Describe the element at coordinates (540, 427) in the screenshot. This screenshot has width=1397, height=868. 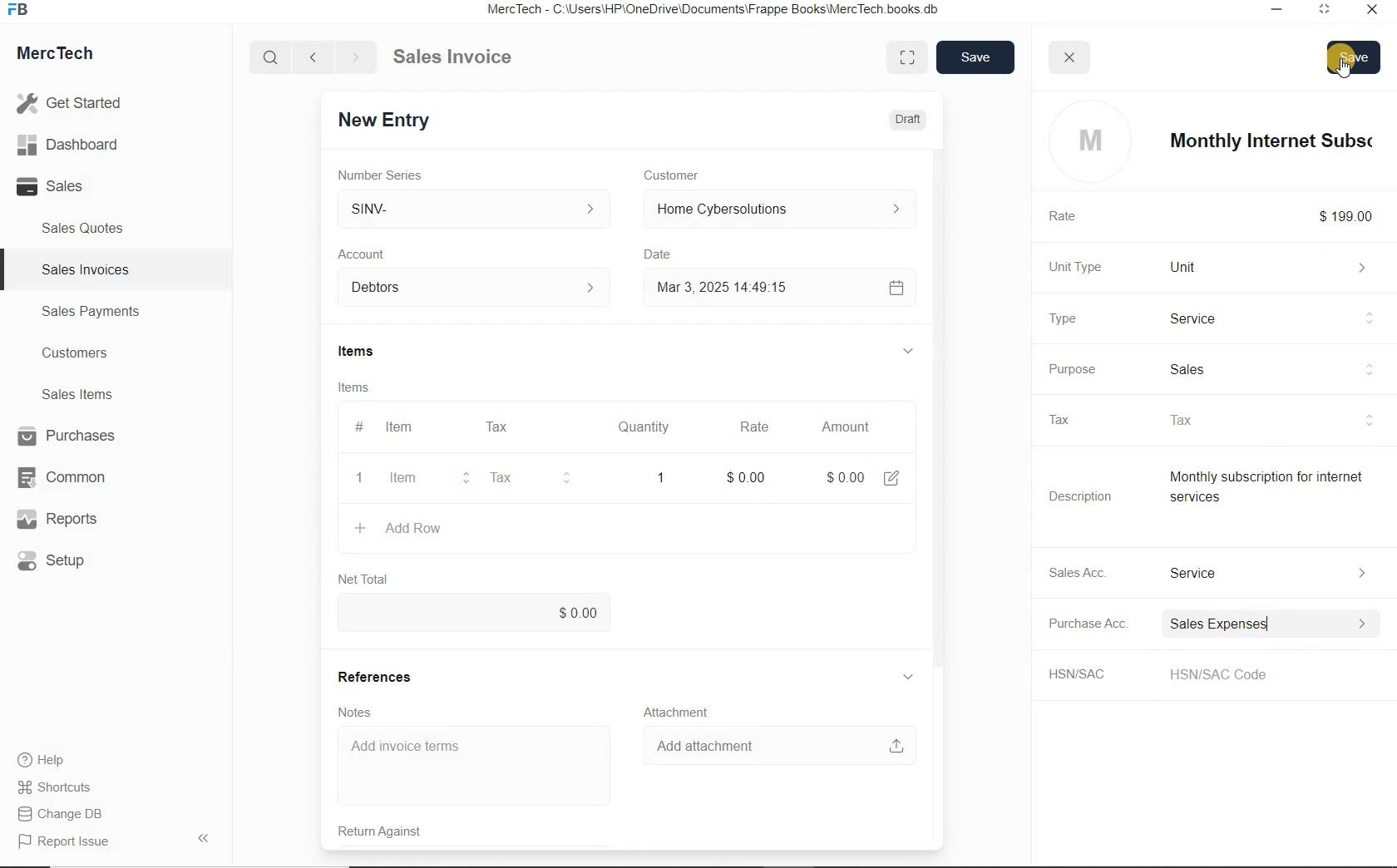
I see `#` at that location.